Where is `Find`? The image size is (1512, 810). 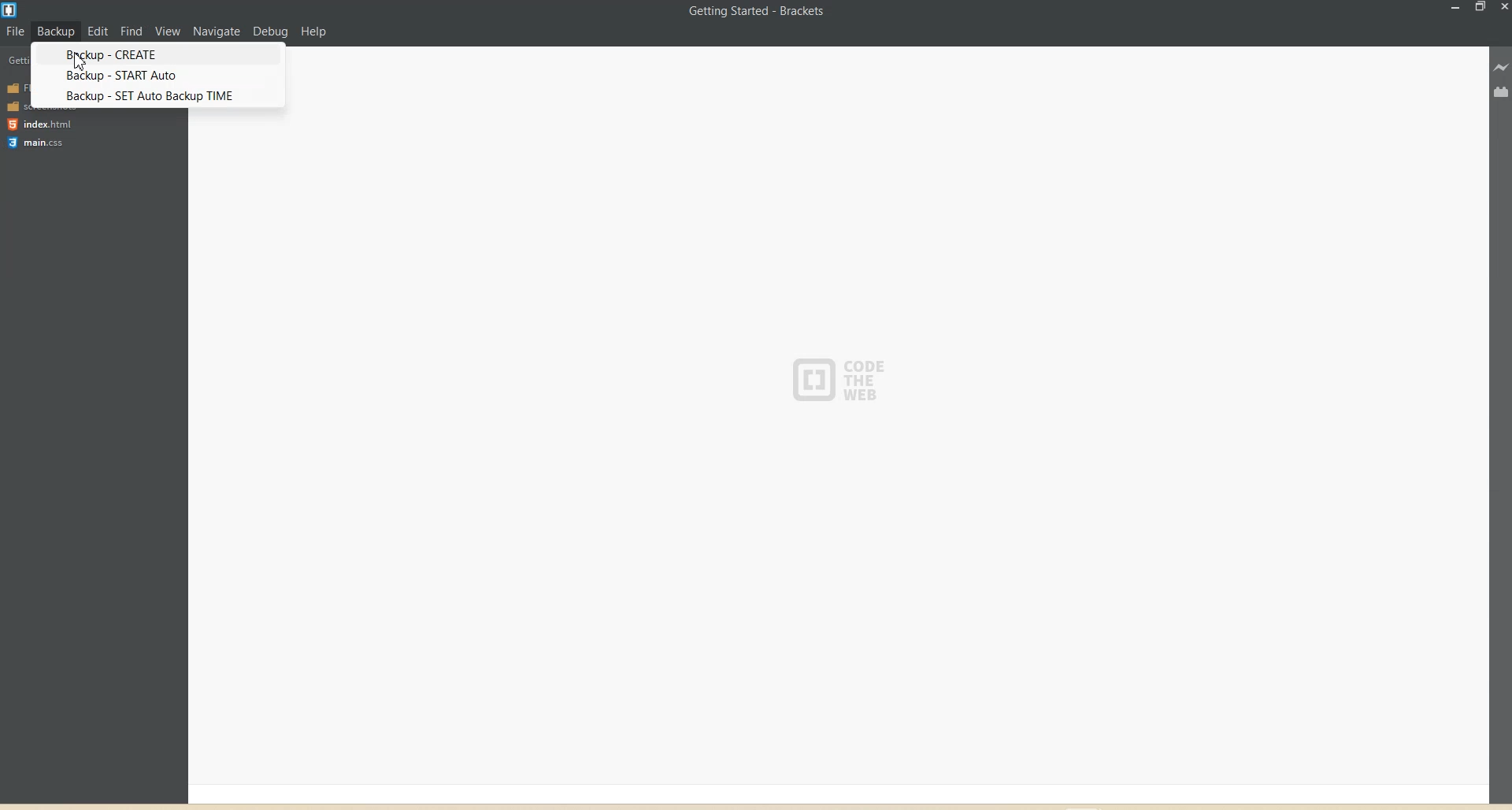
Find is located at coordinates (134, 32).